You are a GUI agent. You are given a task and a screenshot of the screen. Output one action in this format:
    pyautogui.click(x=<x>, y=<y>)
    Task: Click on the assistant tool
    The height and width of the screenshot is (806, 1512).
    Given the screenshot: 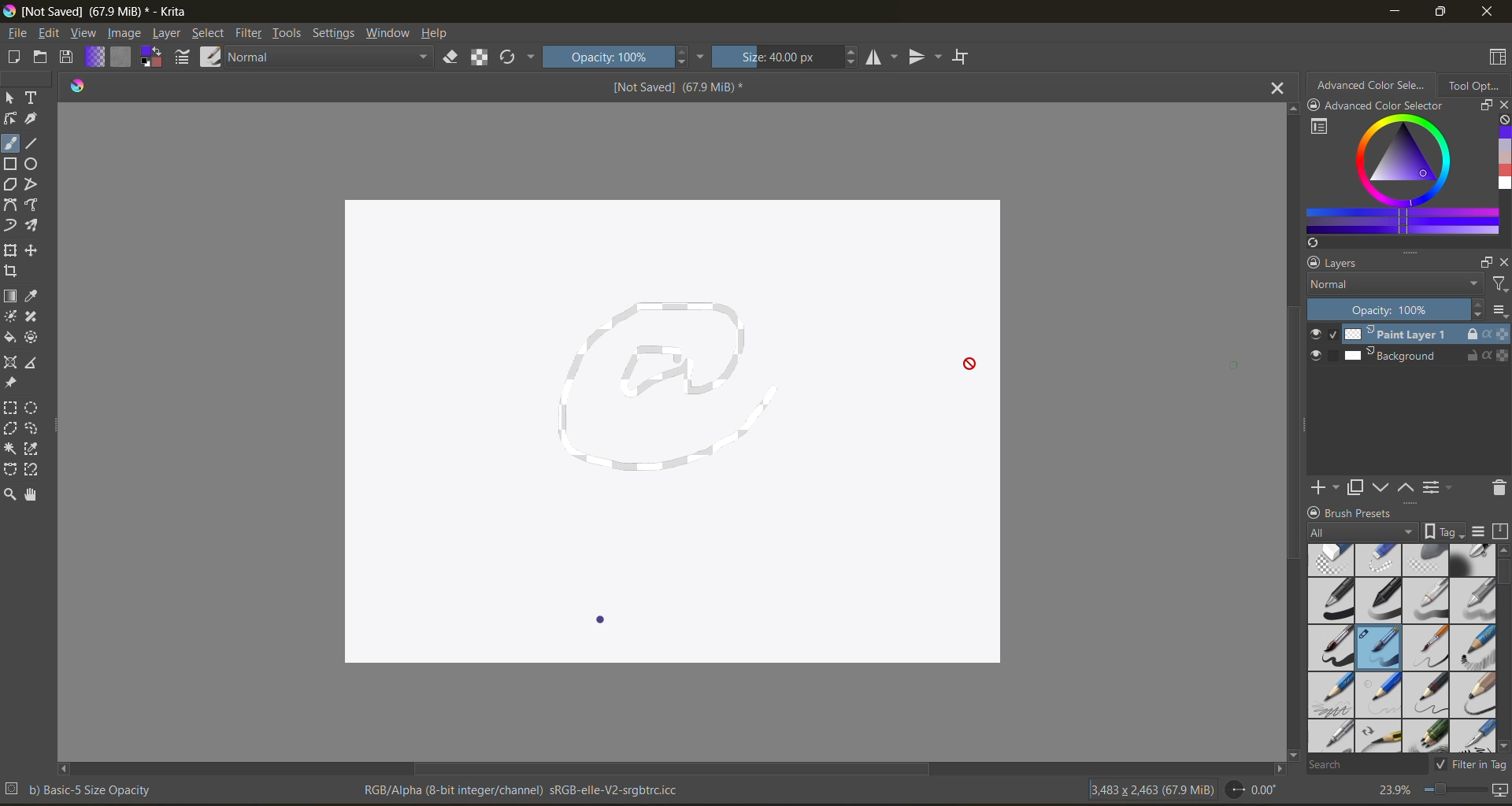 What is the action you would take?
    pyautogui.click(x=9, y=361)
    